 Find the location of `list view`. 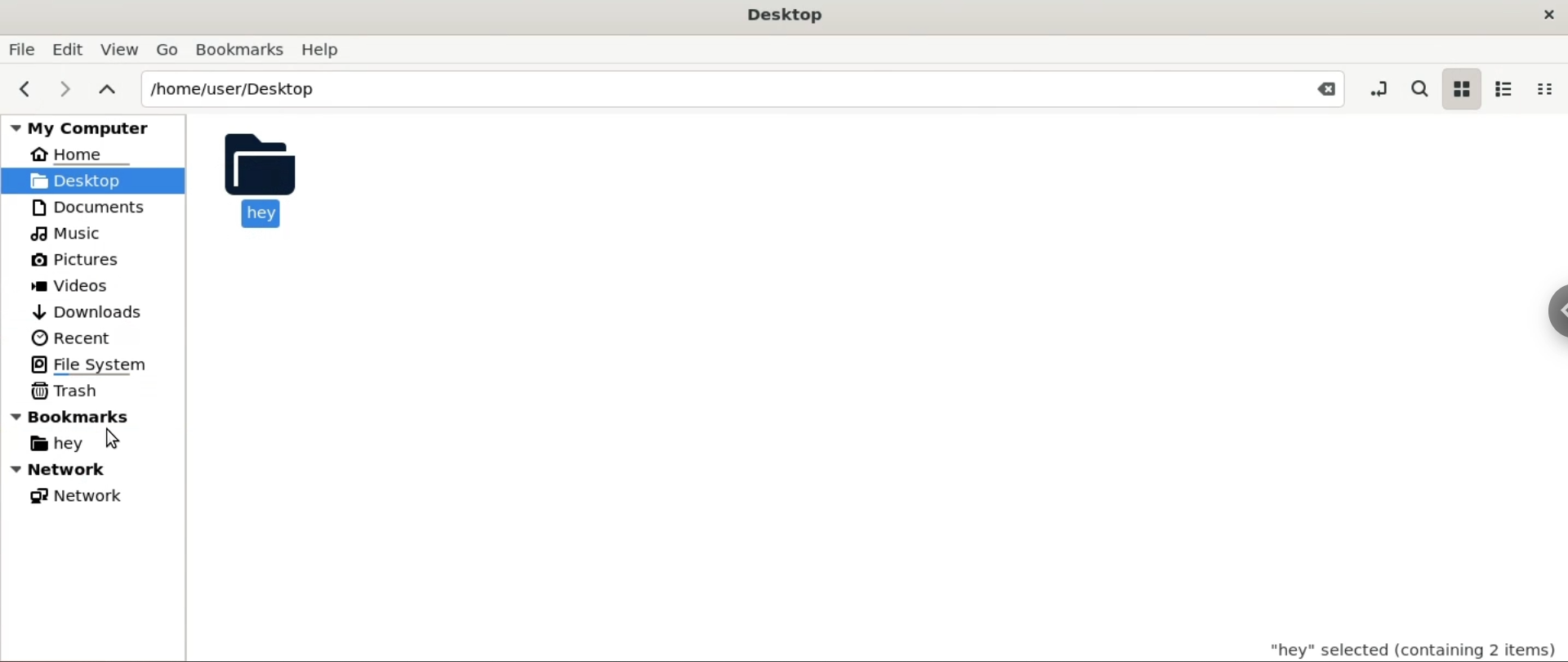

list view is located at coordinates (1504, 88).